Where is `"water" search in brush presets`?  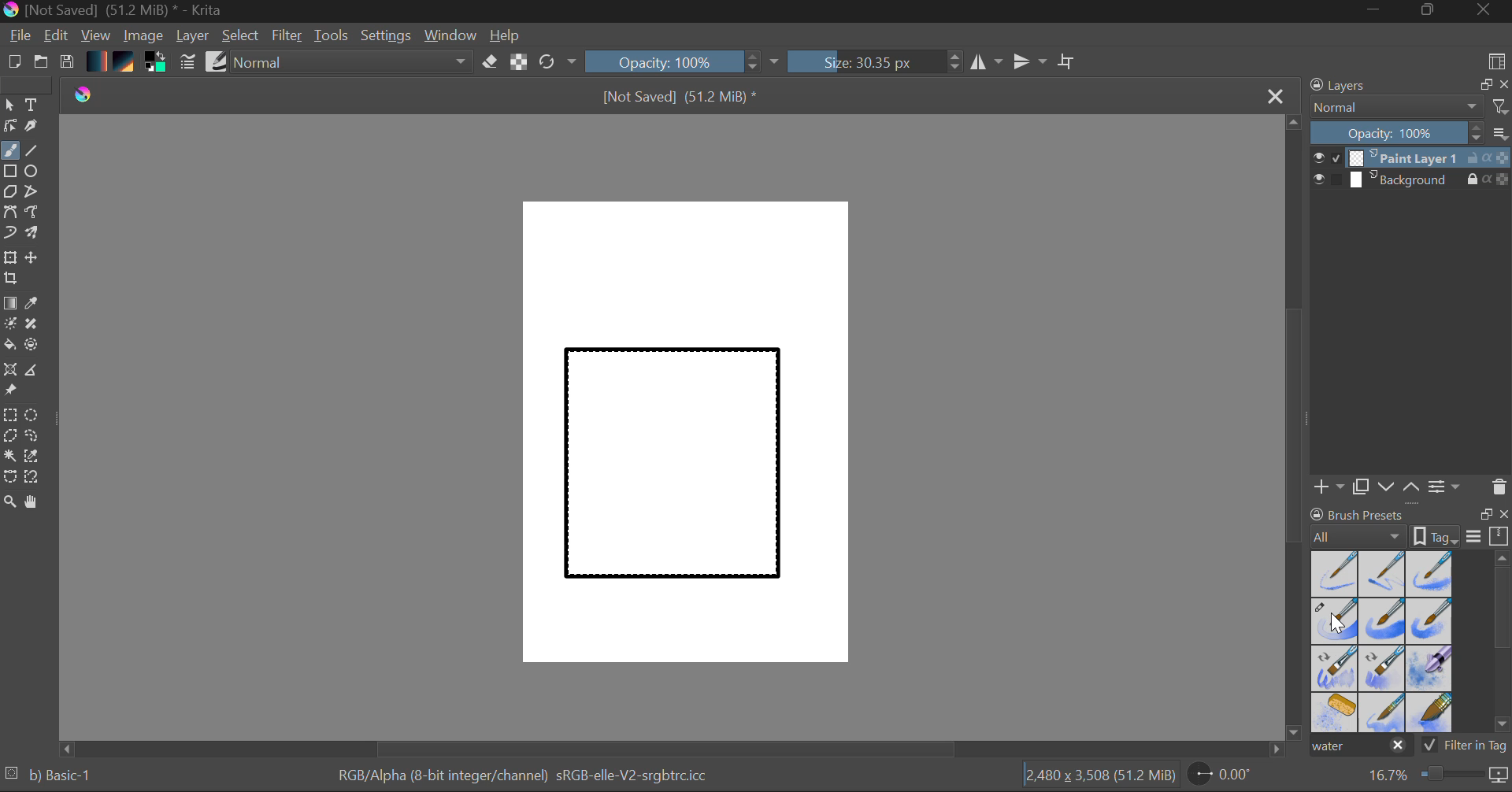 "water" search in brush presets is located at coordinates (1359, 749).